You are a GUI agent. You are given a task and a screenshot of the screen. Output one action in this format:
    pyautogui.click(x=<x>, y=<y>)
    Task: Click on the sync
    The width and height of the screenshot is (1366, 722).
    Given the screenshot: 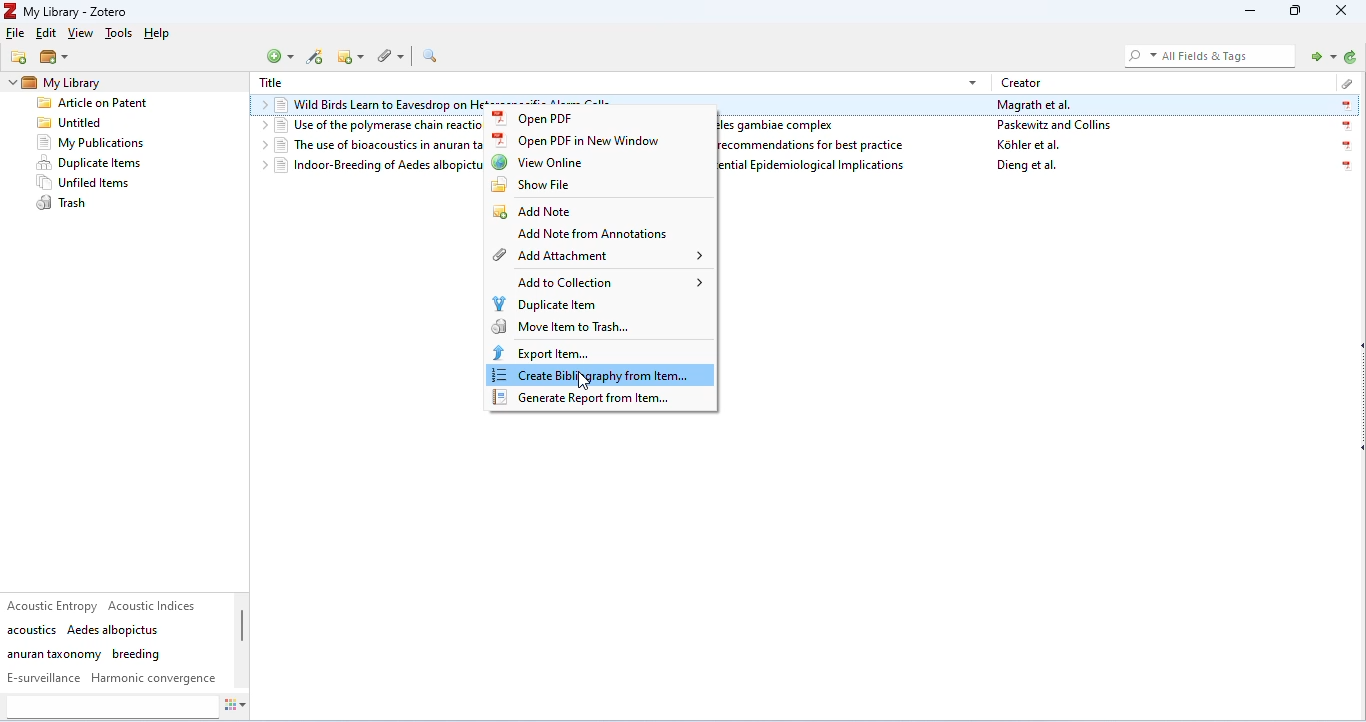 What is the action you would take?
    pyautogui.click(x=1349, y=58)
    